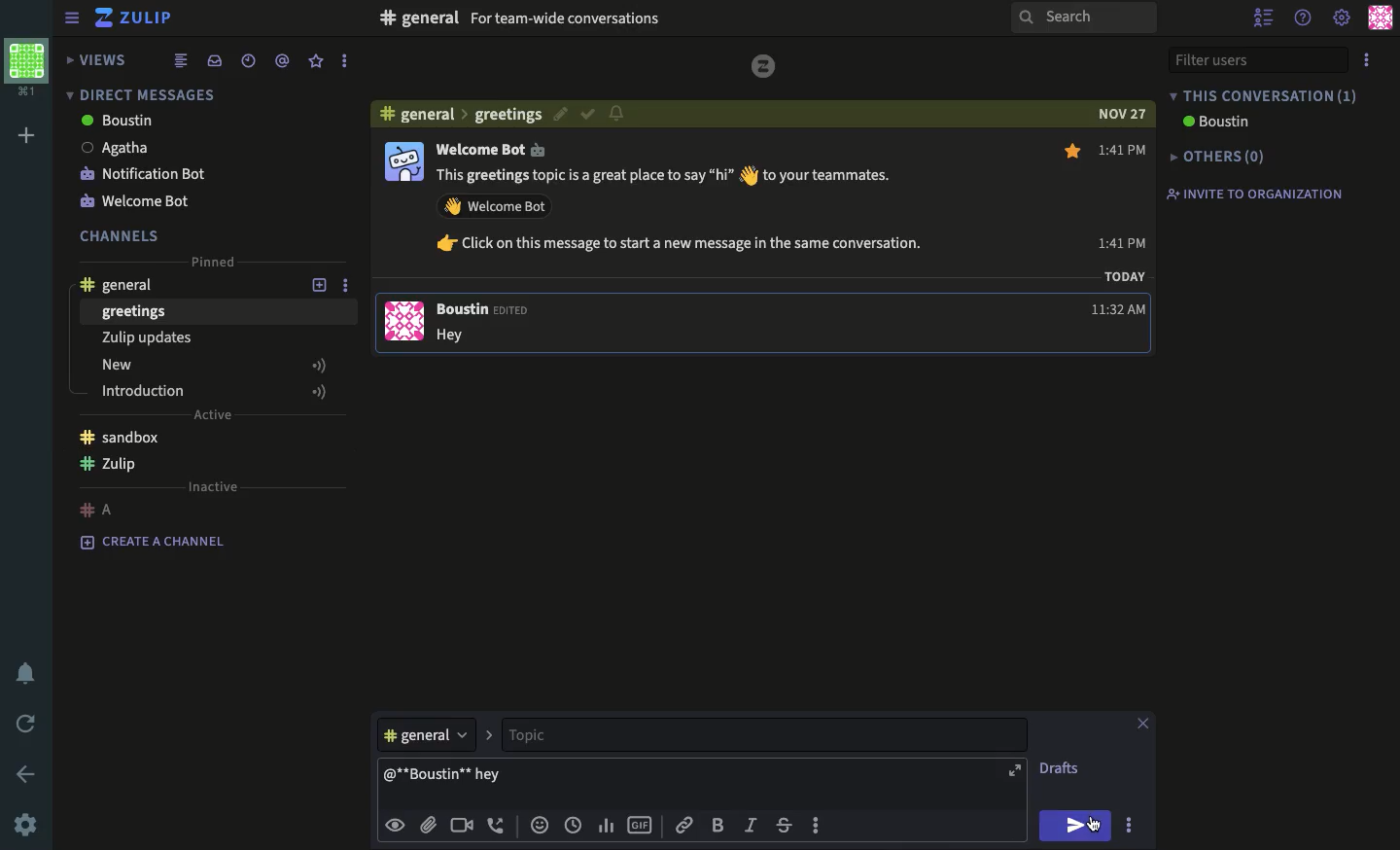 The image size is (1400, 850). What do you see at coordinates (508, 116) in the screenshot?
I see `greeting` at bounding box center [508, 116].